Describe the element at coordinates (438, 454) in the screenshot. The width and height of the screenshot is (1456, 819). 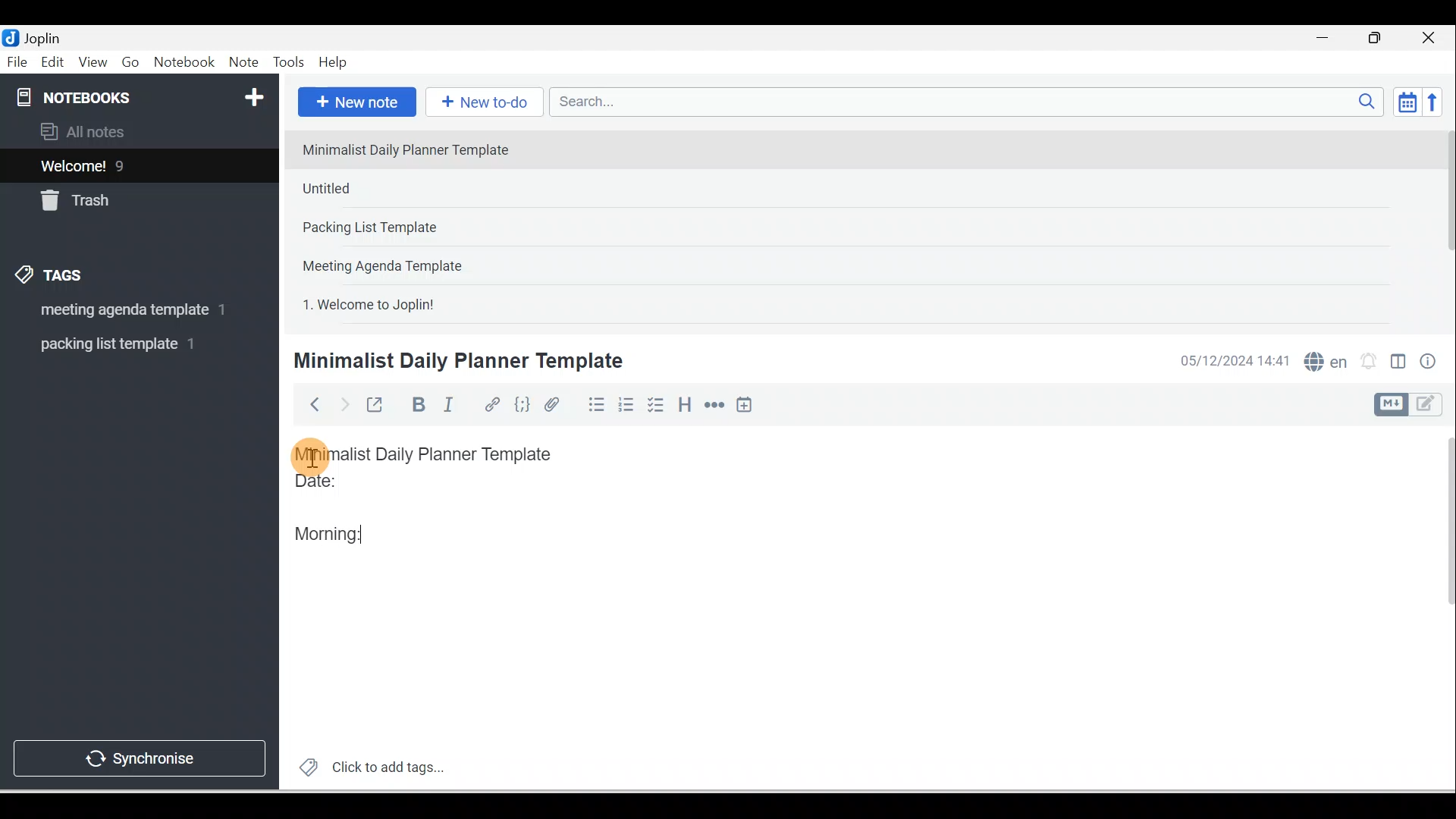
I see `Minimalist Daily Planner Template` at that location.